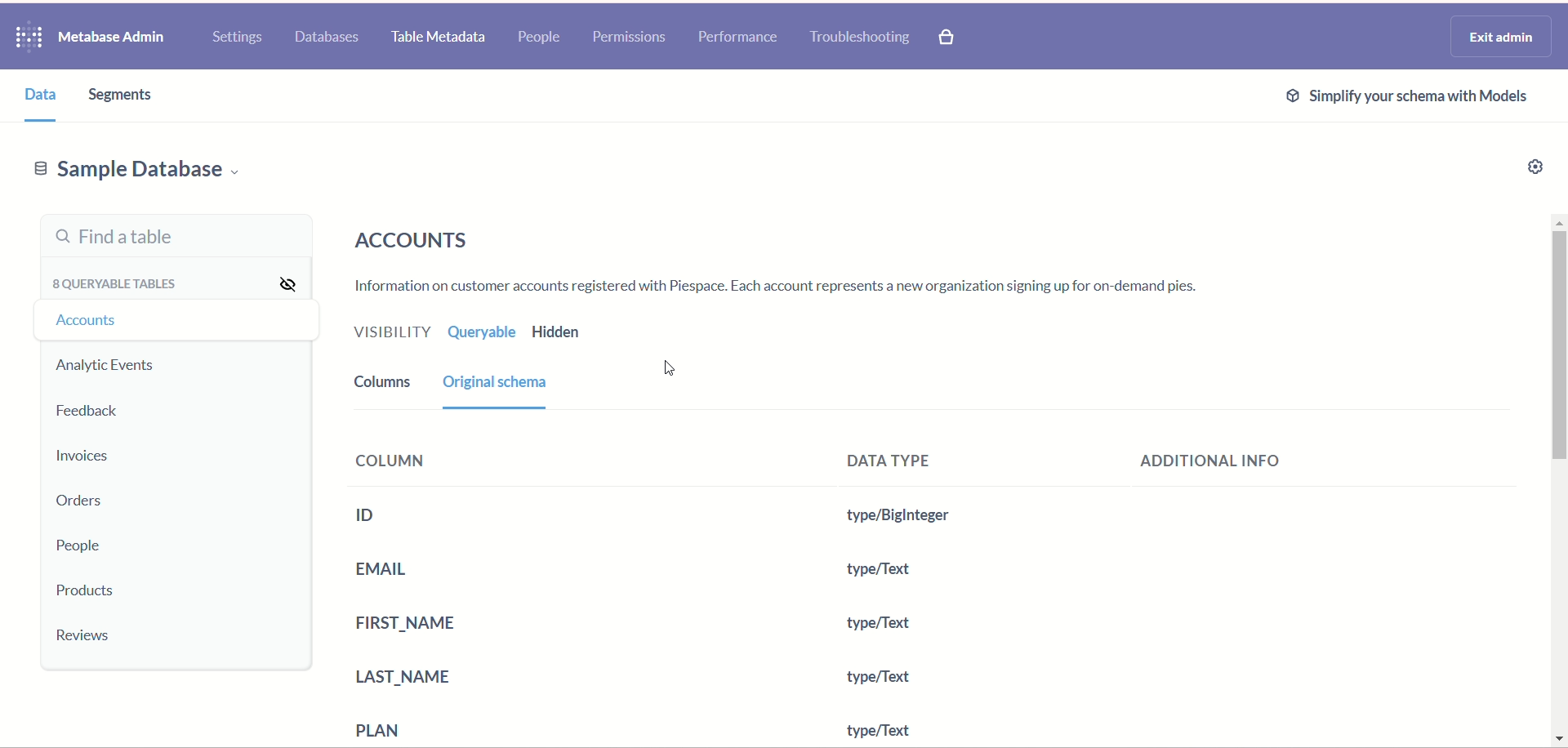  What do you see at coordinates (439, 39) in the screenshot?
I see `table metadata` at bounding box center [439, 39].